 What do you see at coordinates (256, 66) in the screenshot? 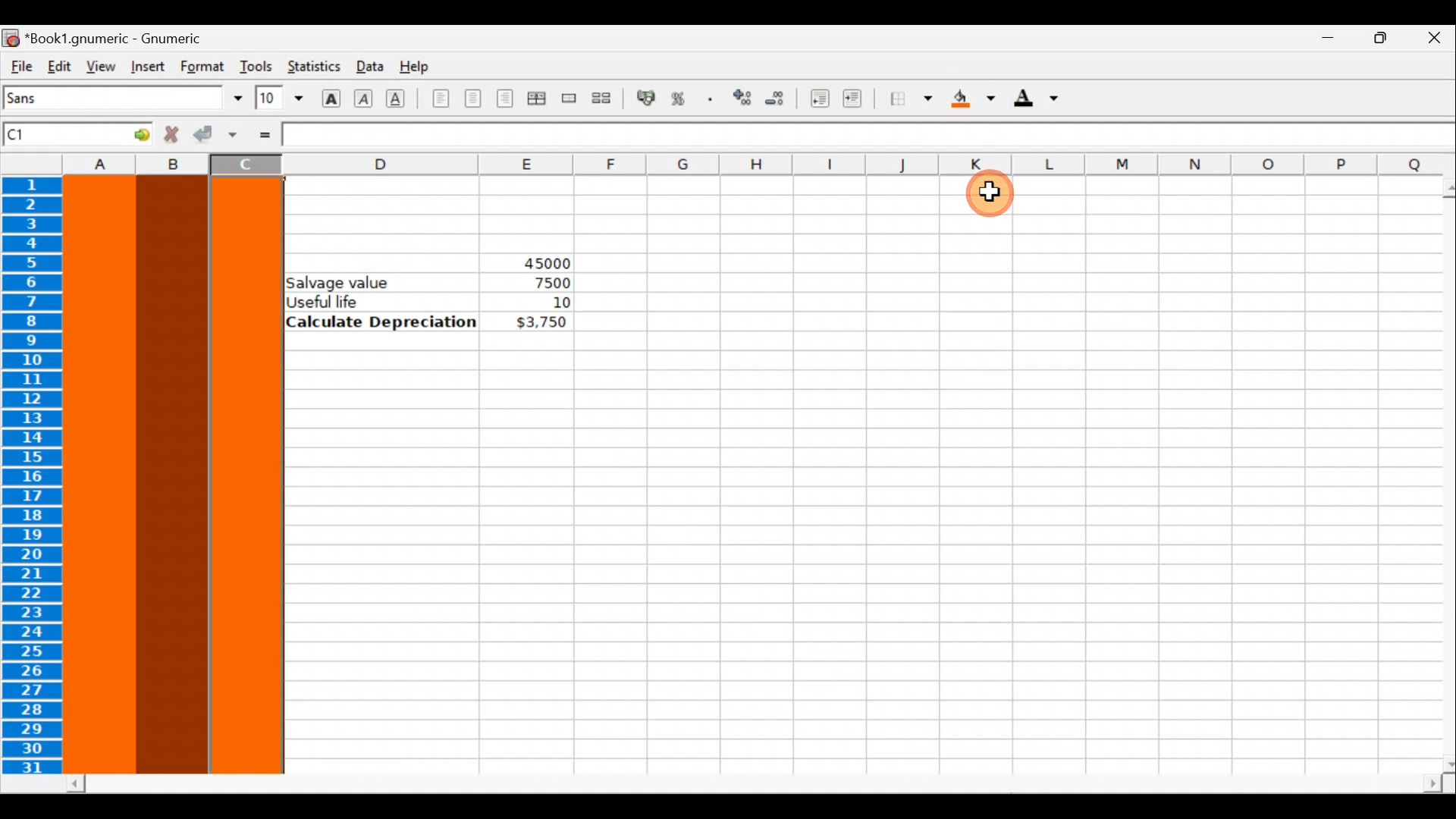
I see `Tools` at bounding box center [256, 66].